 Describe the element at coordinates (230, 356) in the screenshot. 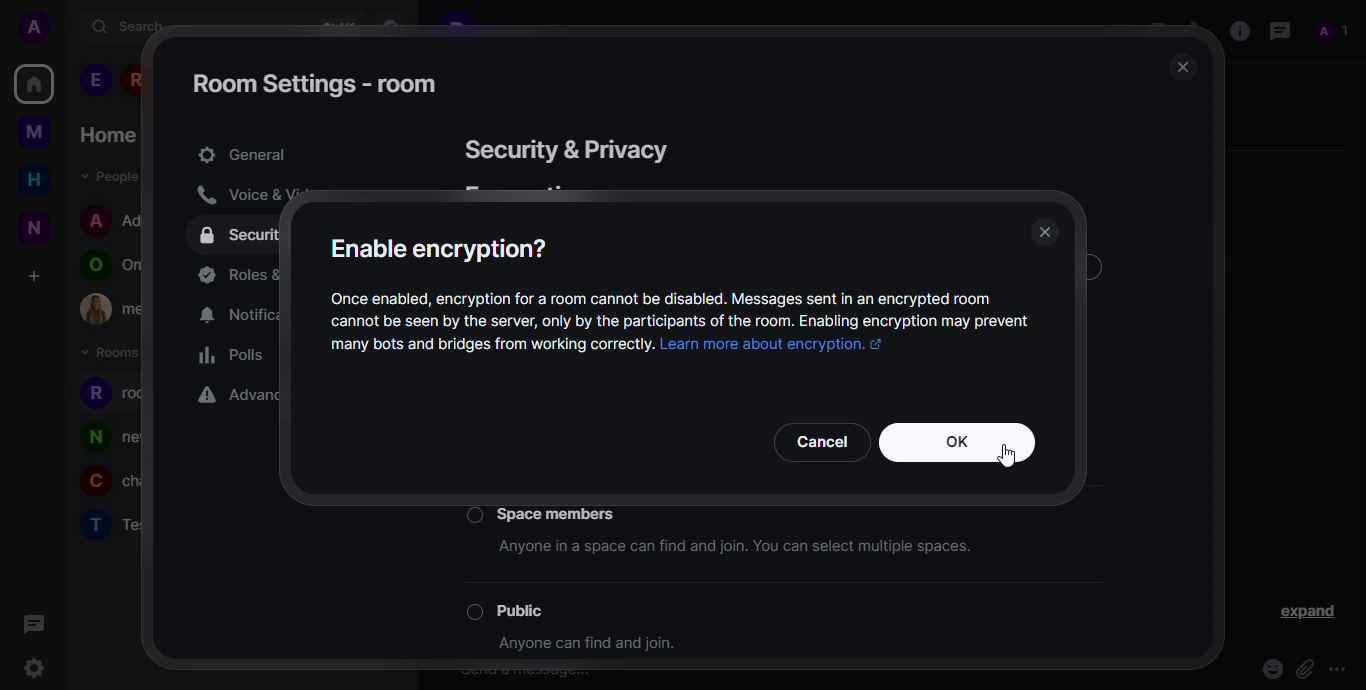

I see `polls` at that location.